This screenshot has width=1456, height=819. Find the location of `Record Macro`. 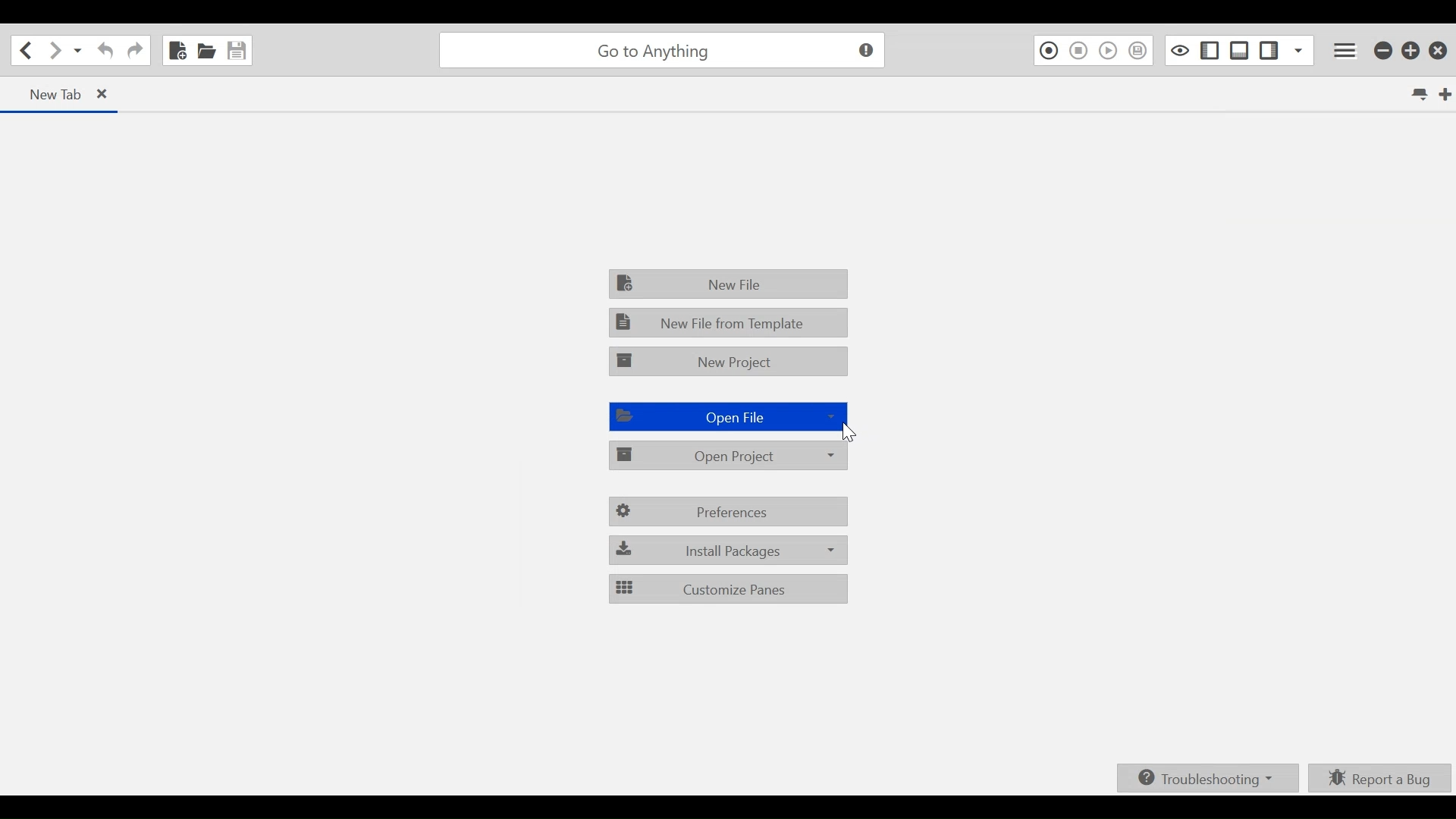

Record Macro is located at coordinates (1048, 50).